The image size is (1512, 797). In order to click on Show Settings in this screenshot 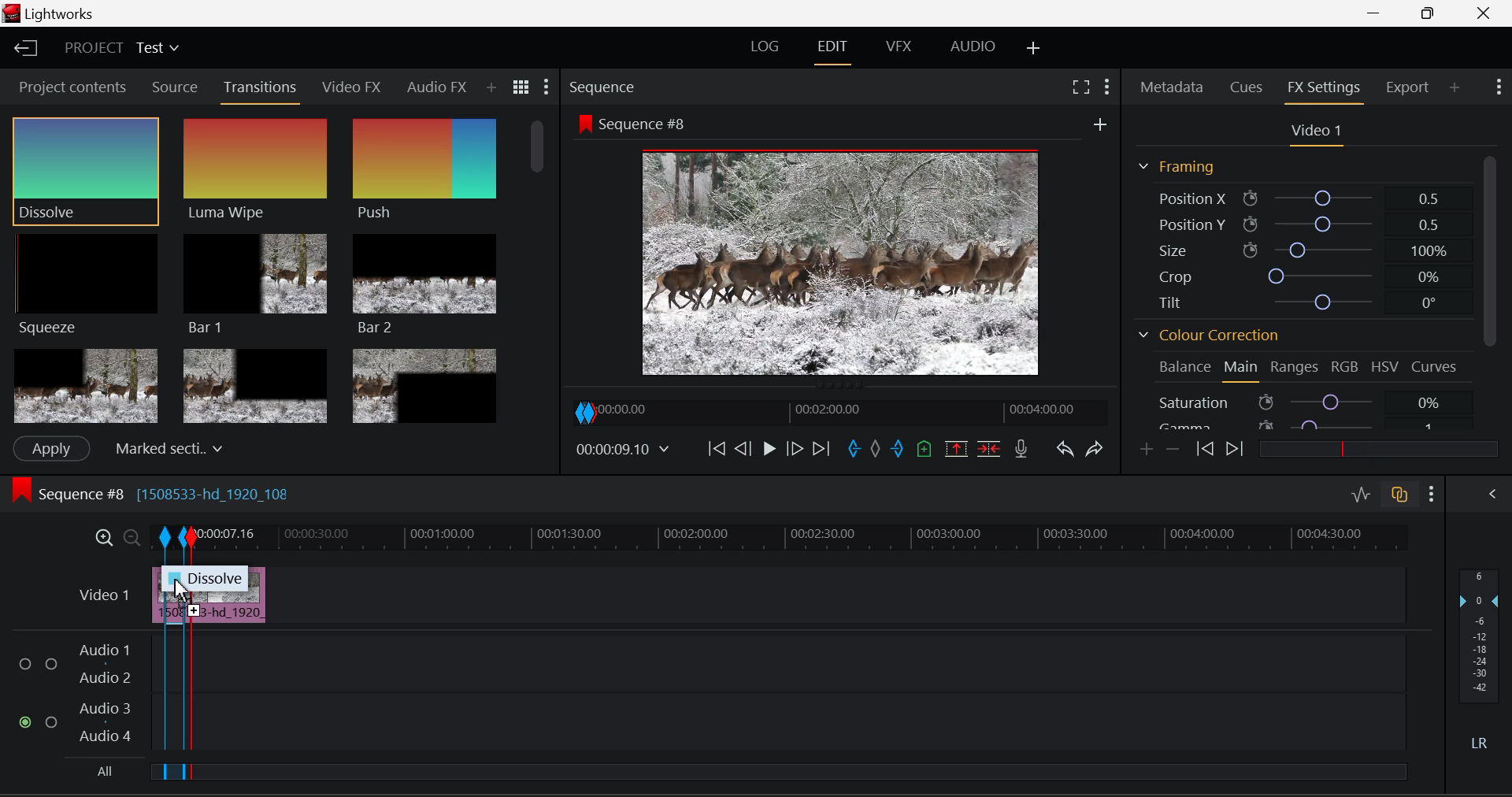, I will do `click(1107, 87)`.